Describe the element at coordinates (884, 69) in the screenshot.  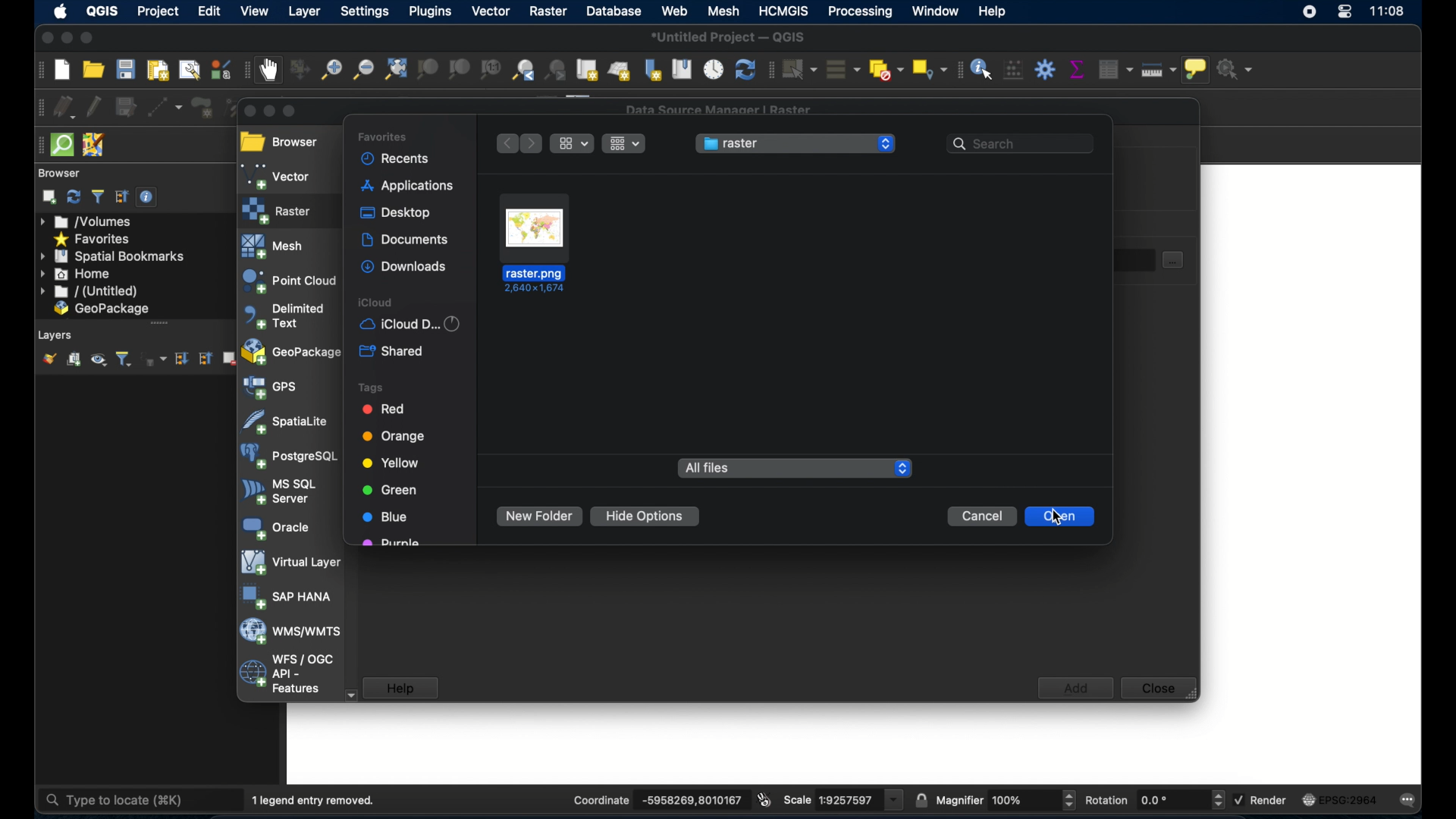
I see `deselect features from all layers` at that location.